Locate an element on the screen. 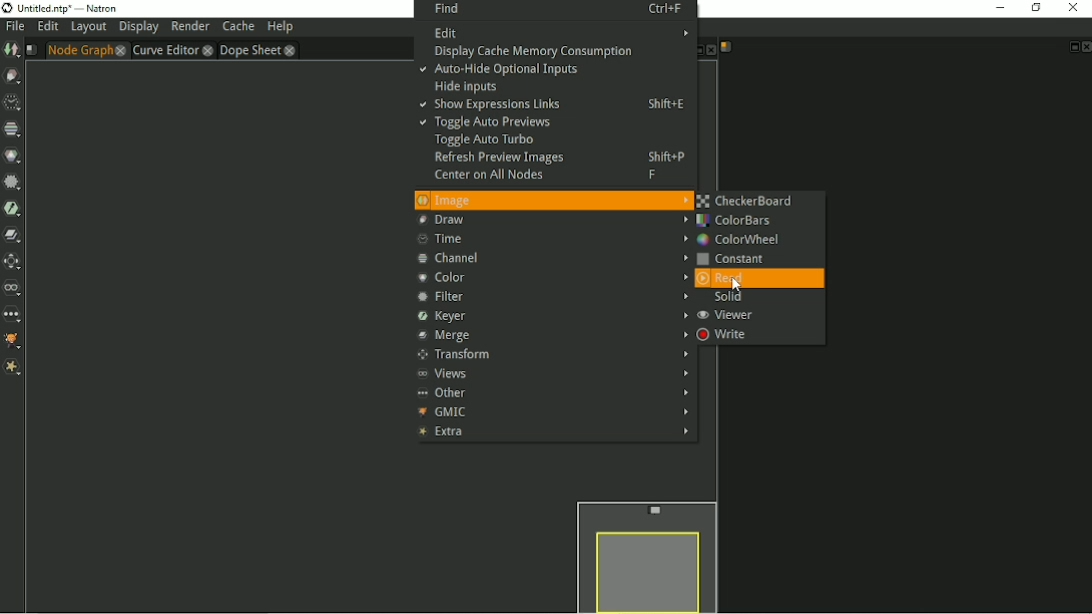  Title is located at coordinates (61, 8).